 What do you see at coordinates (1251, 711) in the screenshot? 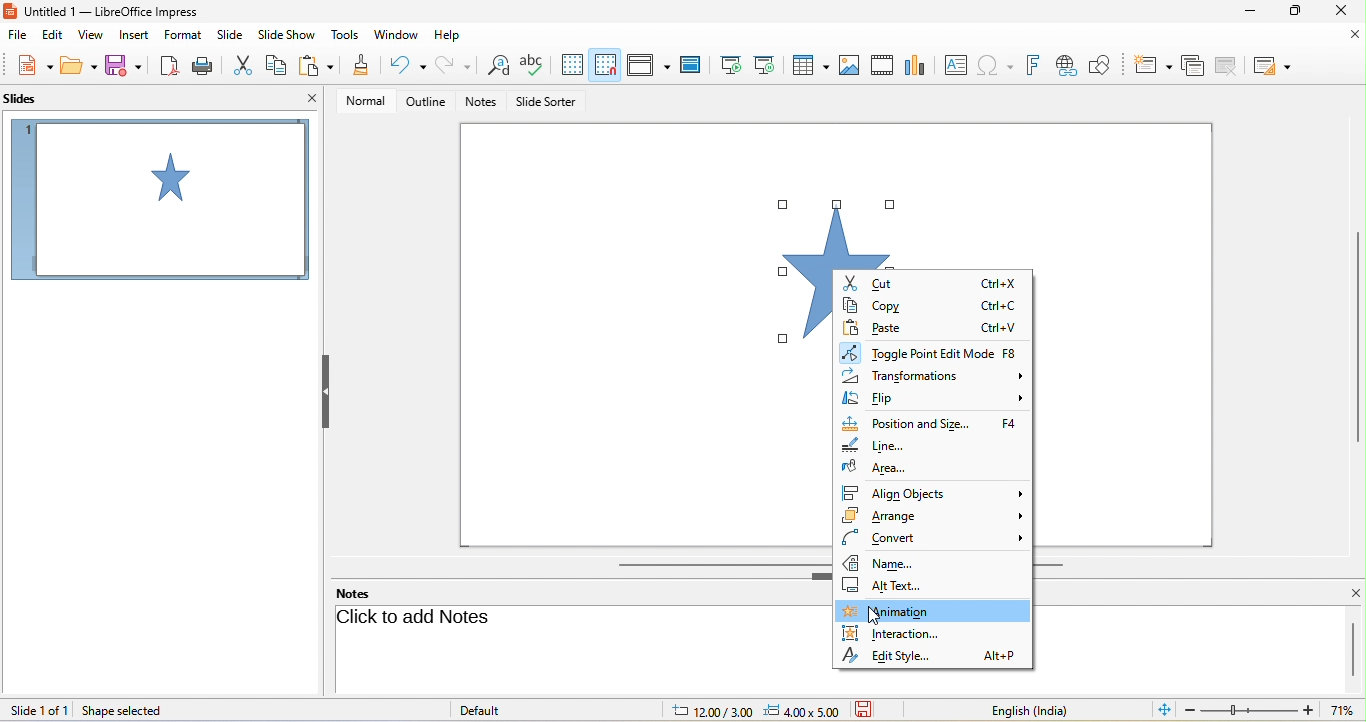
I see `zoom` at bounding box center [1251, 711].